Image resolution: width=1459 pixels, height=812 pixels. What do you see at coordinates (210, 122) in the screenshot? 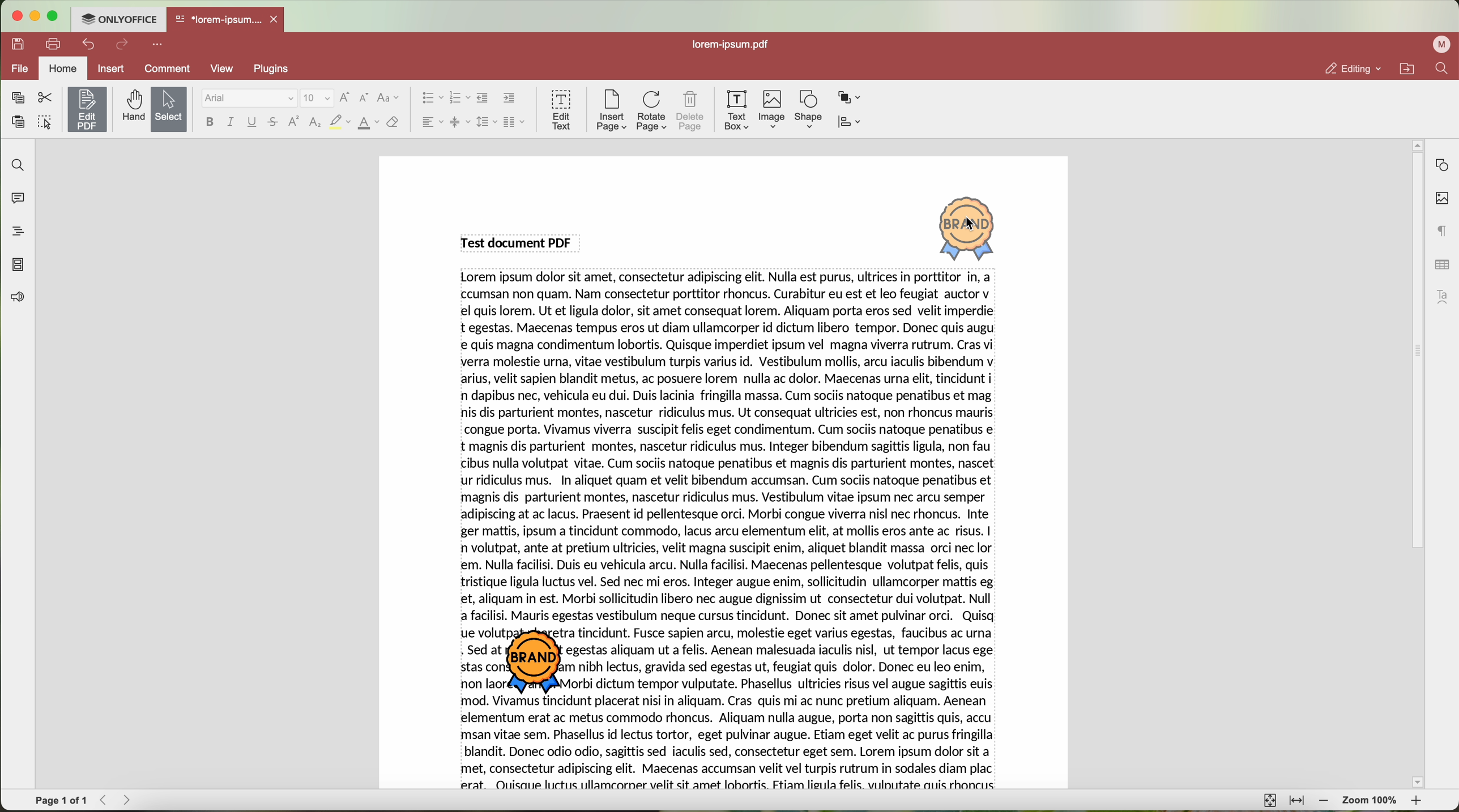
I see `bold` at bounding box center [210, 122].